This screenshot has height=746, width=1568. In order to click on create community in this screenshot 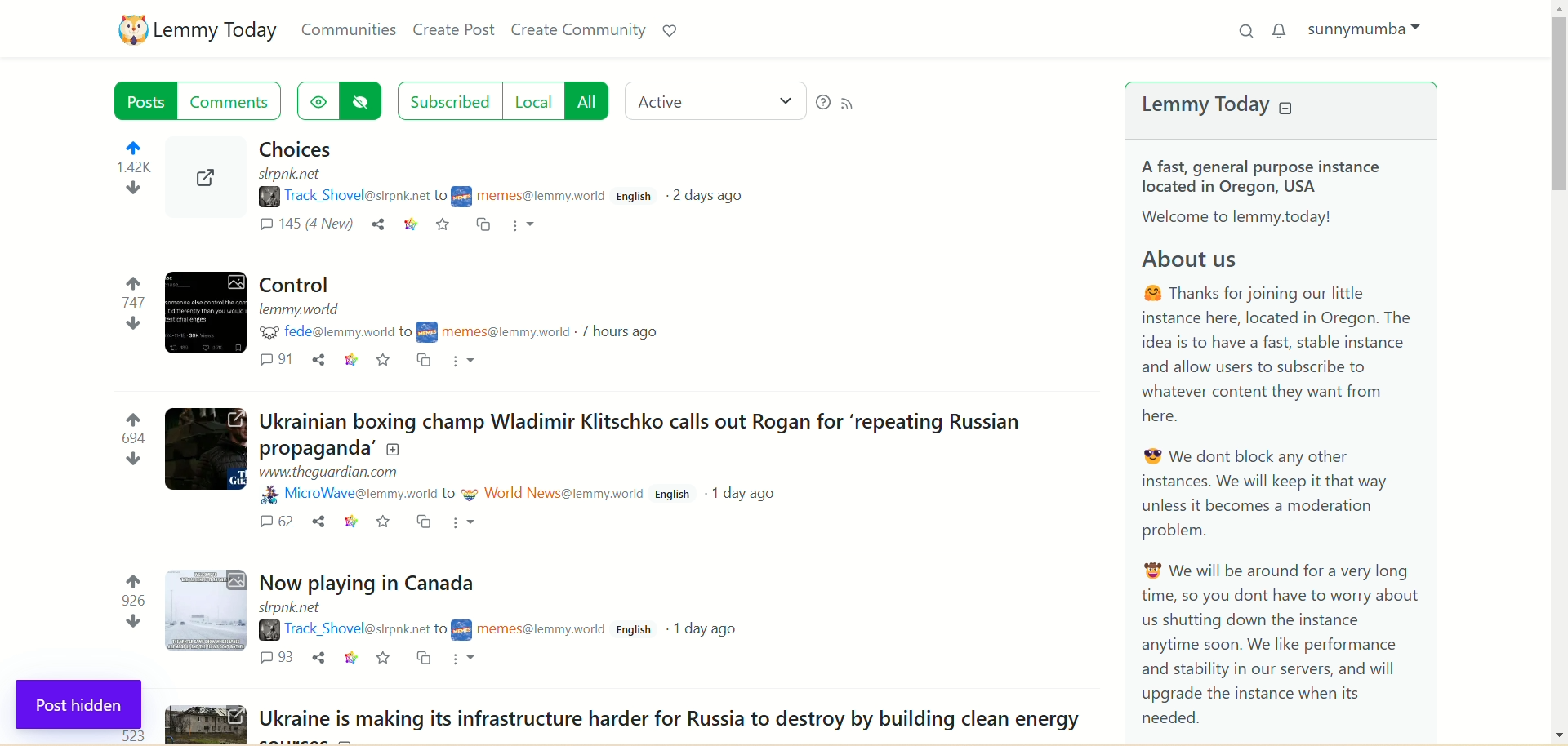, I will do `click(579, 32)`.